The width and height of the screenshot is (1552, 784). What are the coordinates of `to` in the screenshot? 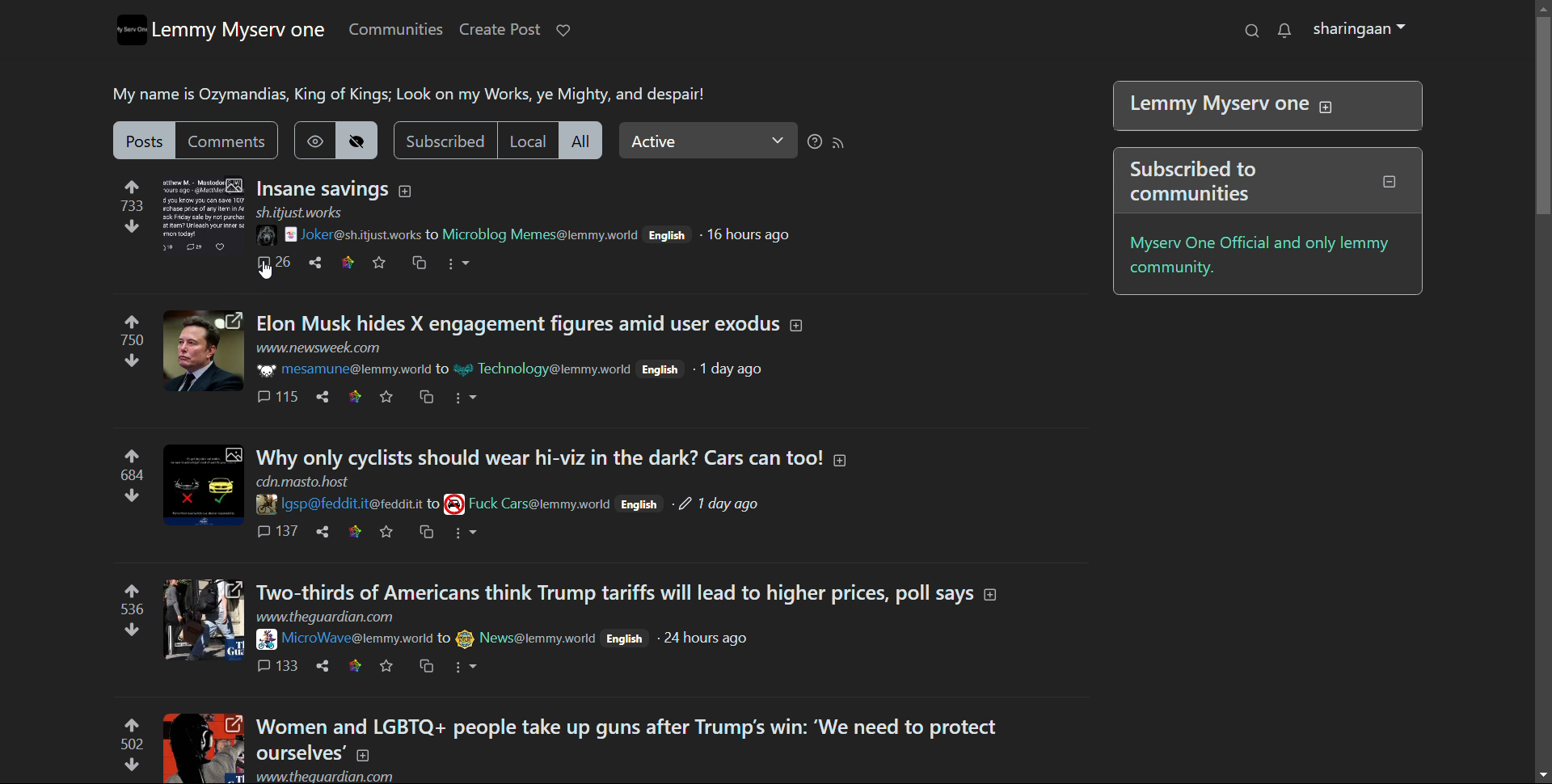 It's located at (445, 639).